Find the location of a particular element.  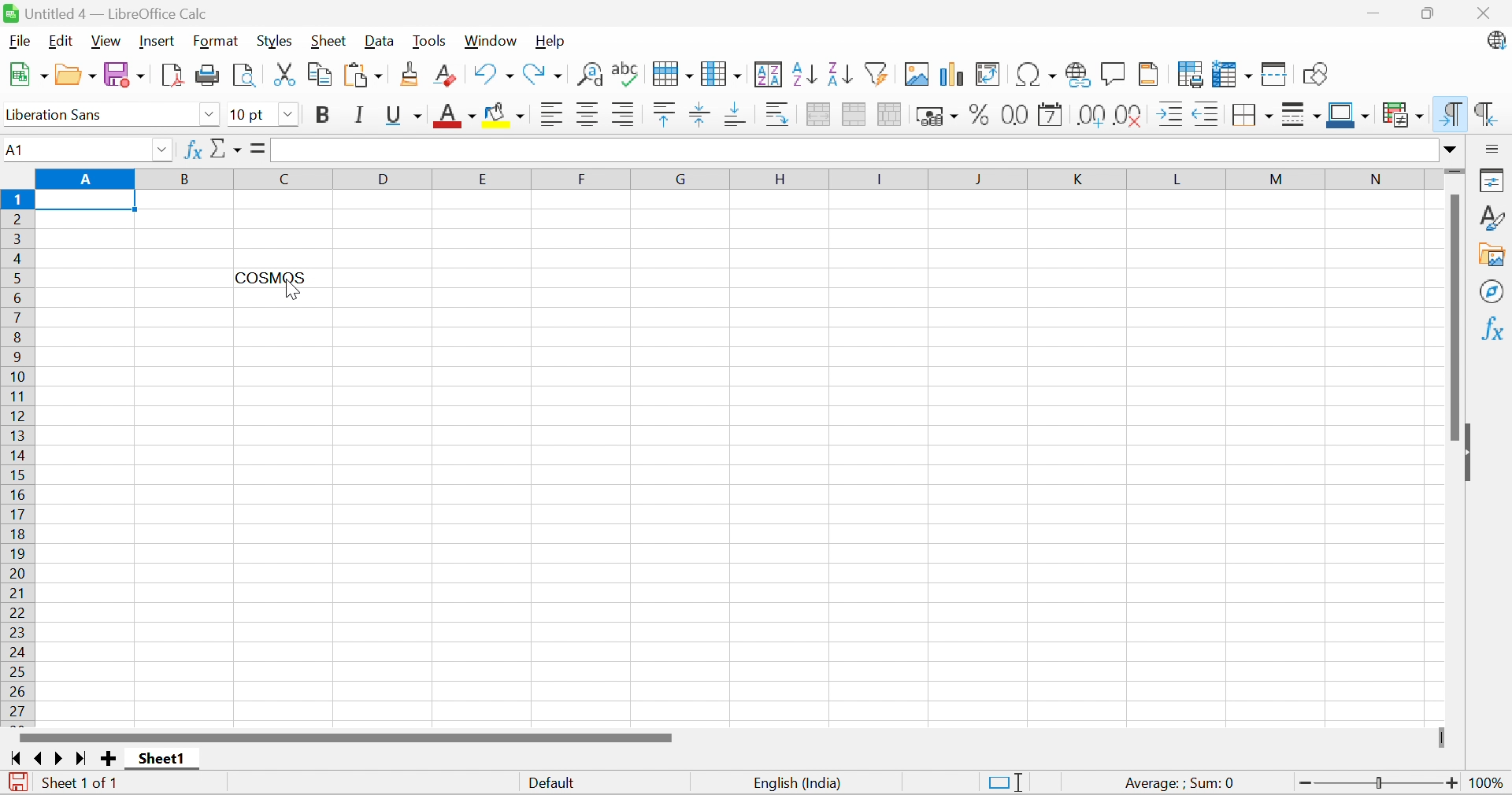

Sort Ascending is located at coordinates (802, 75).